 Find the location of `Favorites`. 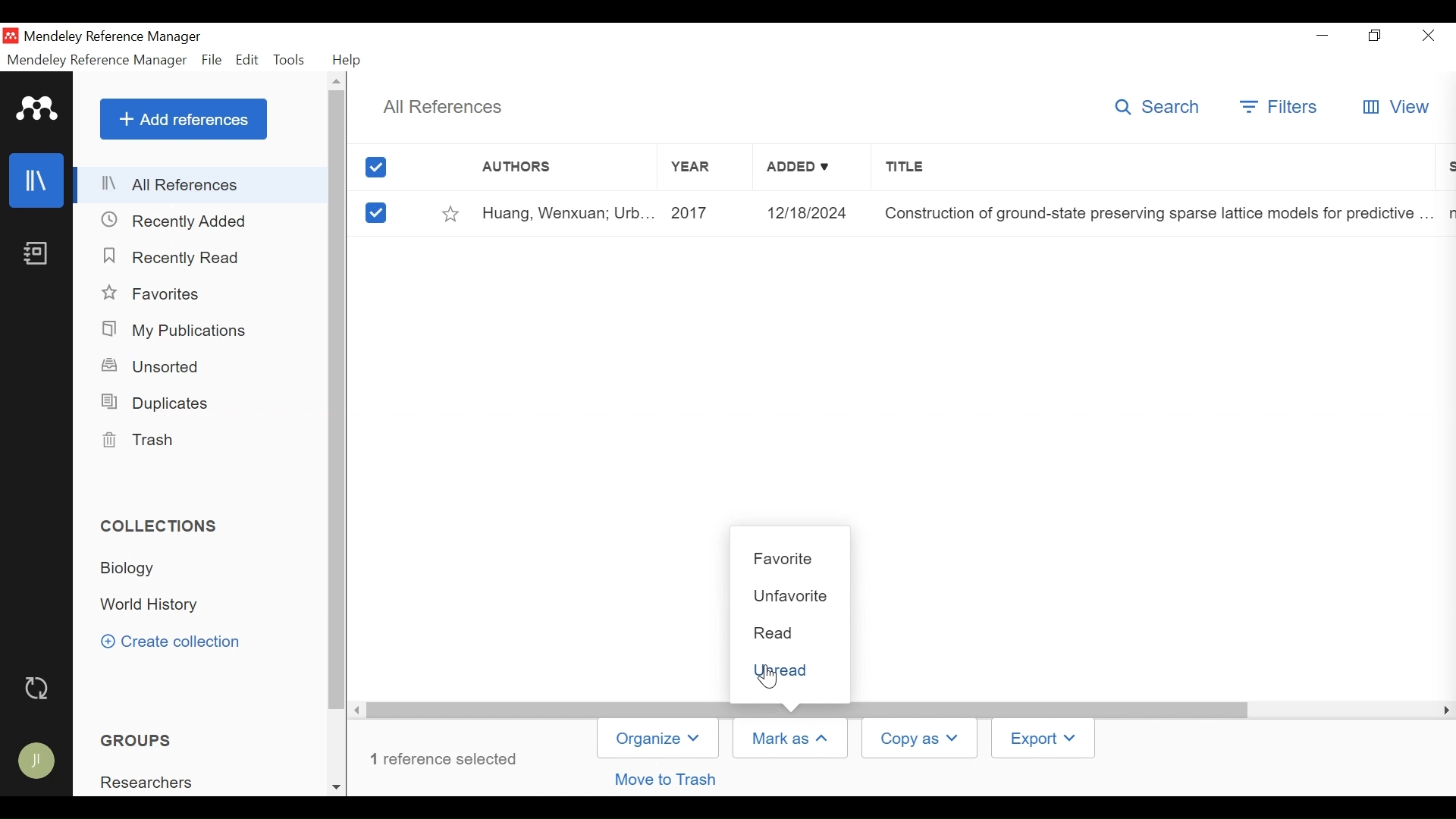

Favorites is located at coordinates (156, 293).